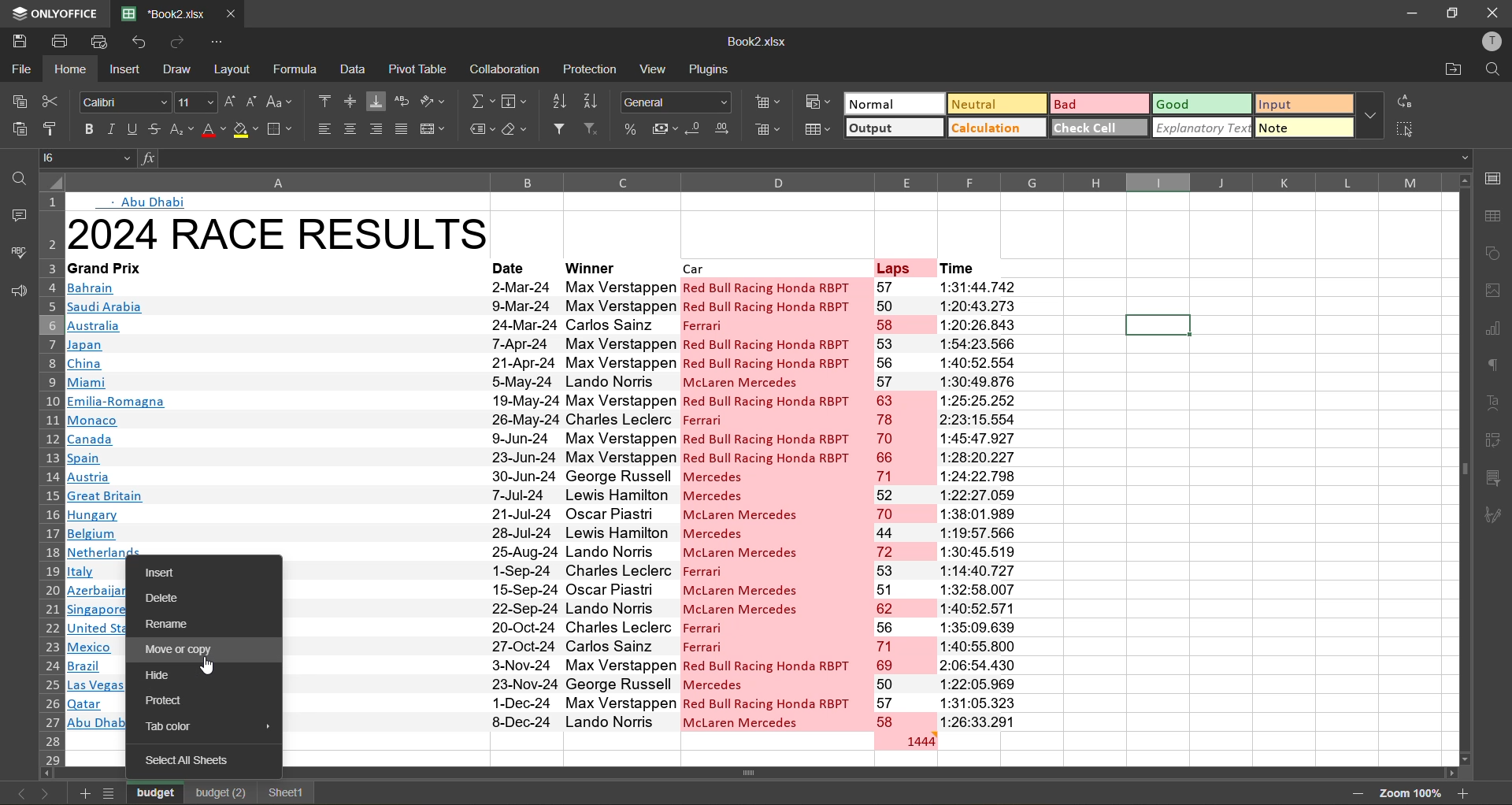 The width and height of the screenshot is (1512, 805). What do you see at coordinates (183, 651) in the screenshot?
I see `move or copy` at bounding box center [183, 651].